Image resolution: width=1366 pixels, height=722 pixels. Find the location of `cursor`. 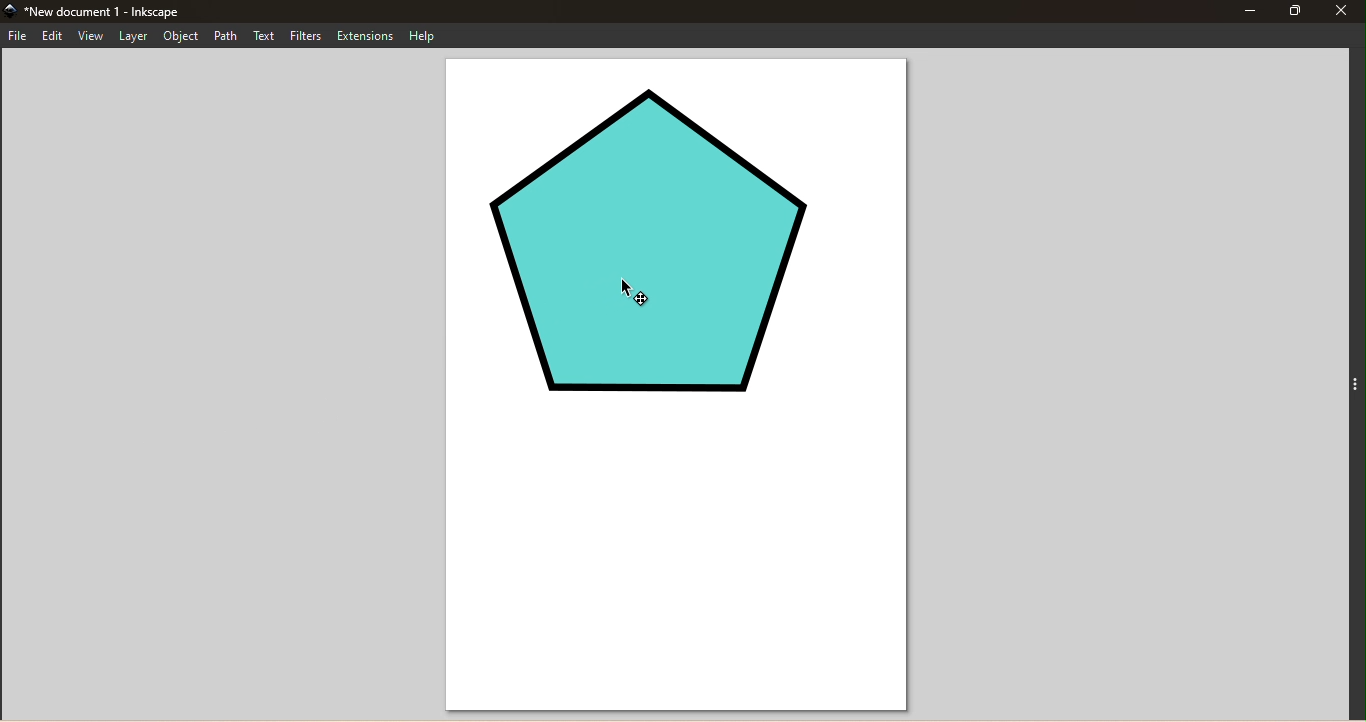

cursor is located at coordinates (638, 297).